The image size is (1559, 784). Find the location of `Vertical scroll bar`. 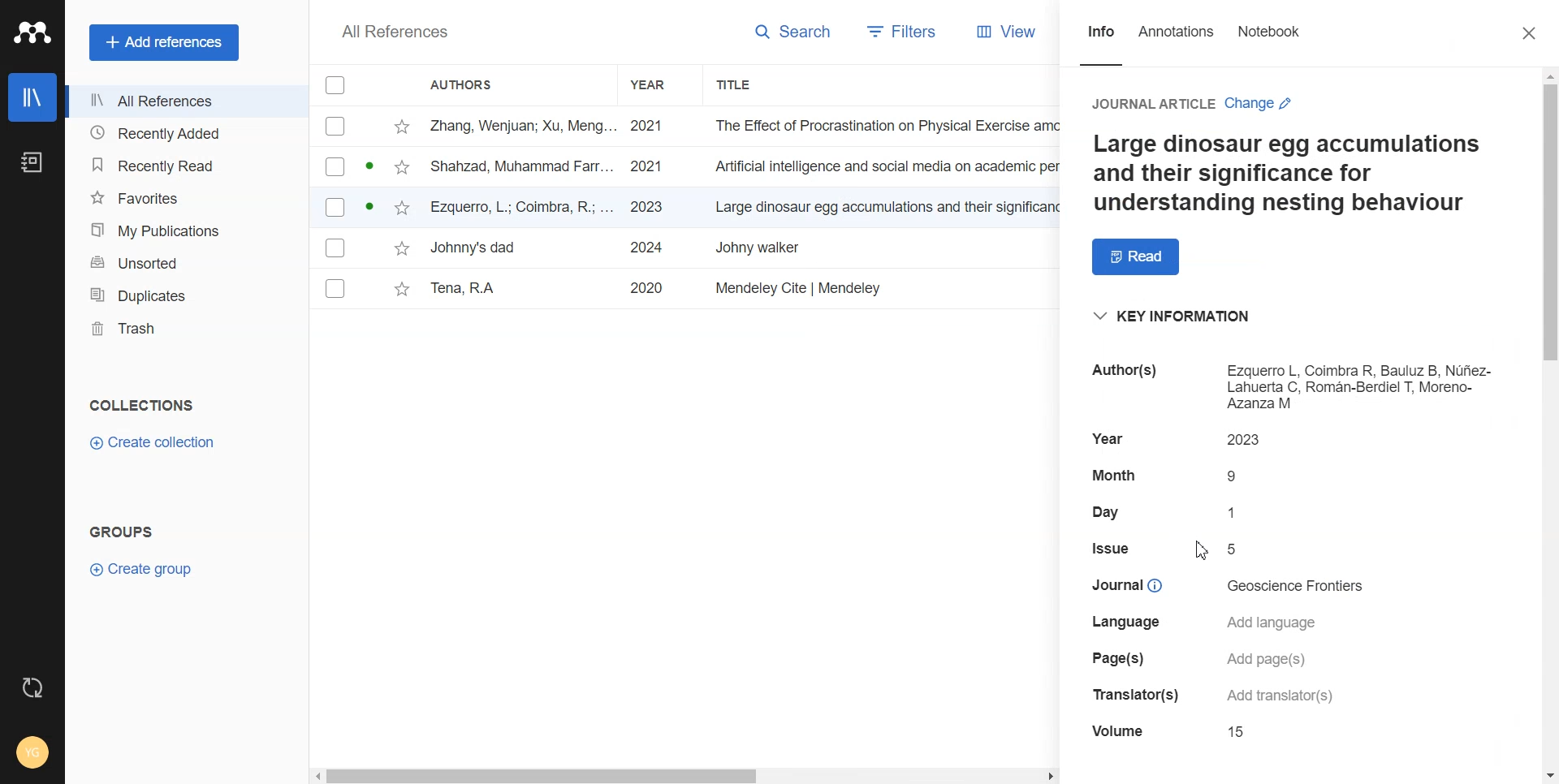

Vertical scroll bar is located at coordinates (1549, 424).